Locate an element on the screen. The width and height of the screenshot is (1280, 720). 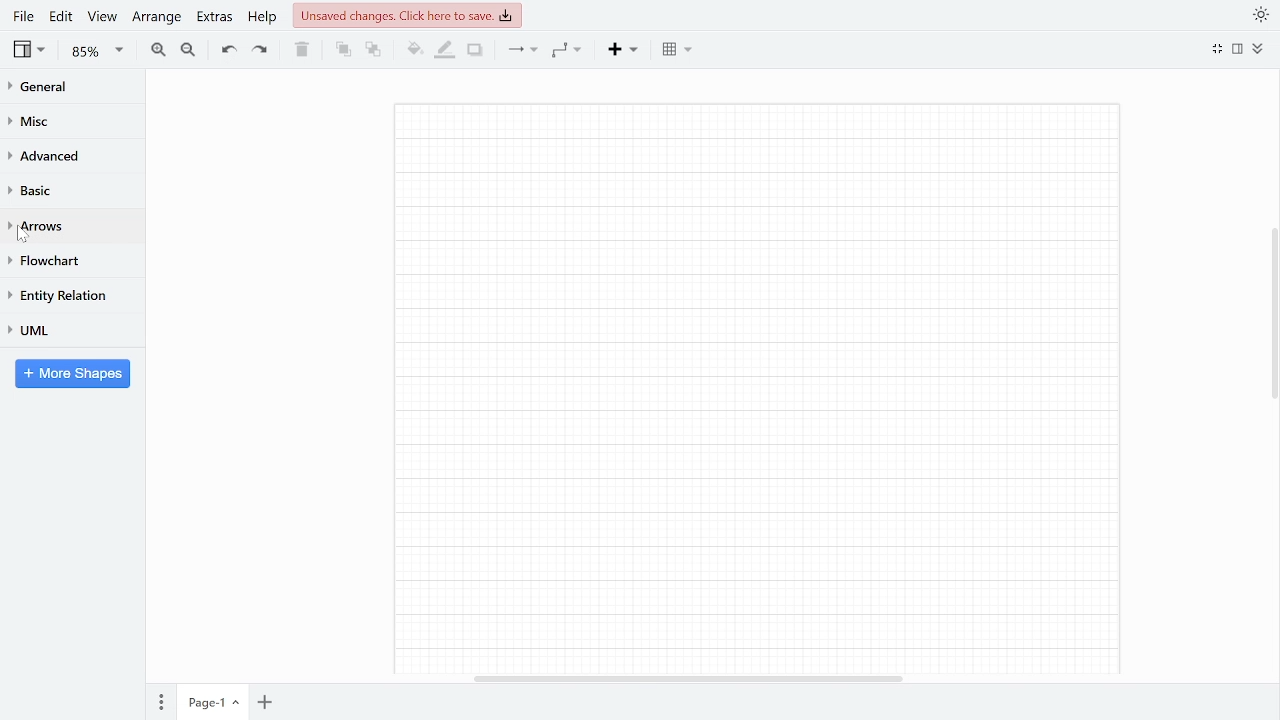
Add page is located at coordinates (265, 701).